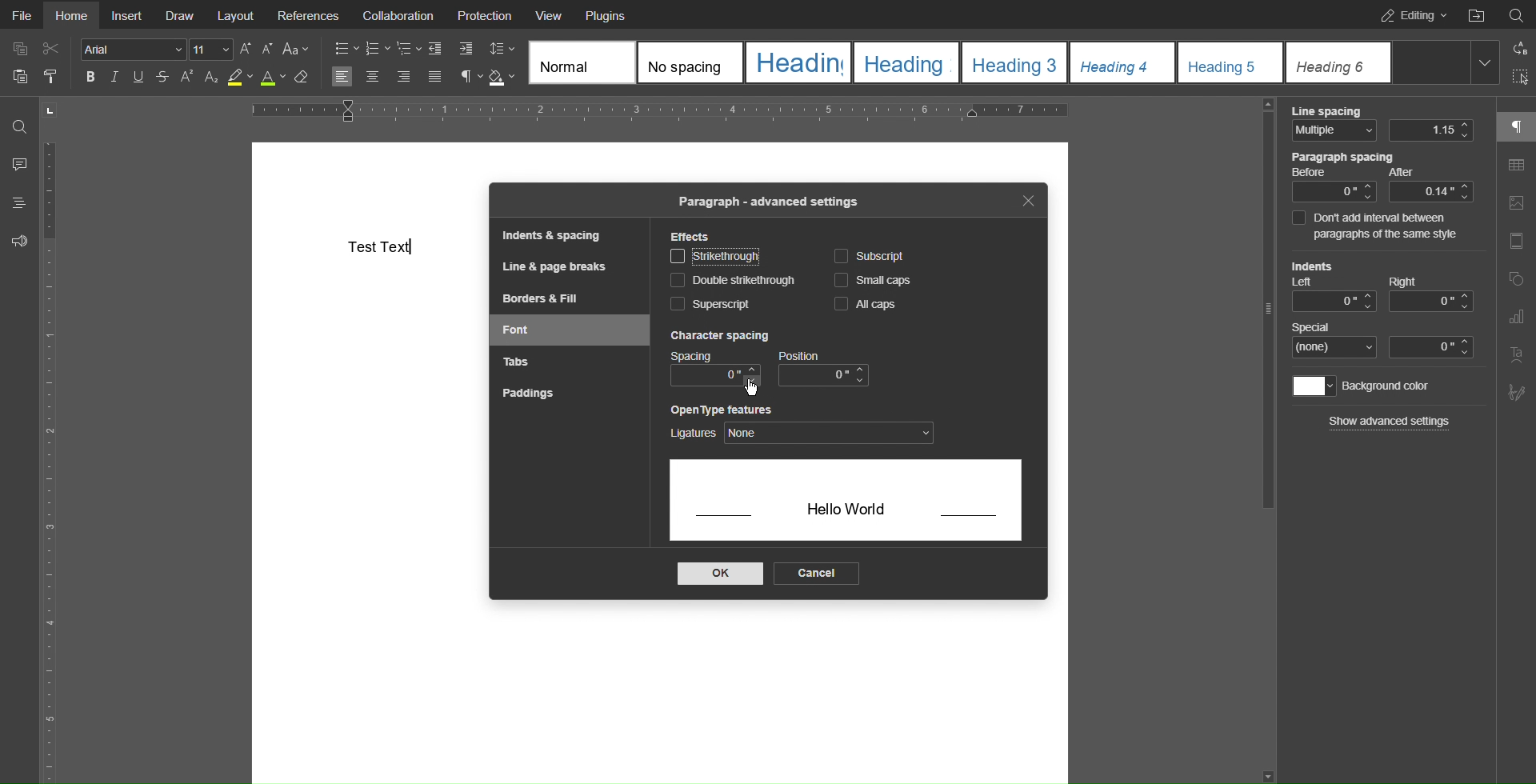  Describe the element at coordinates (514, 359) in the screenshot. I see `Tabs` at that location.